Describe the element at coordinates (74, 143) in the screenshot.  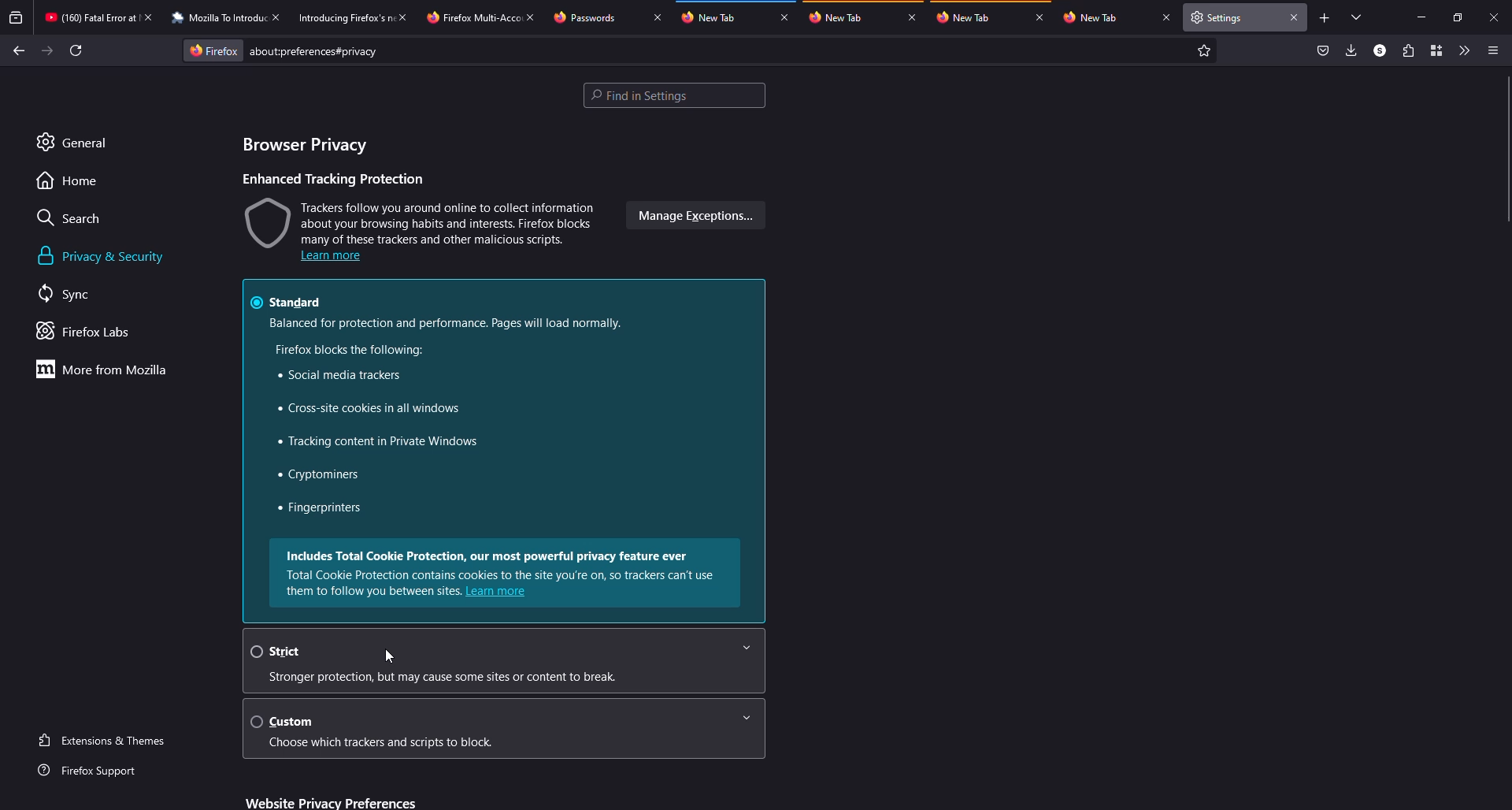
I see `general` at that location.